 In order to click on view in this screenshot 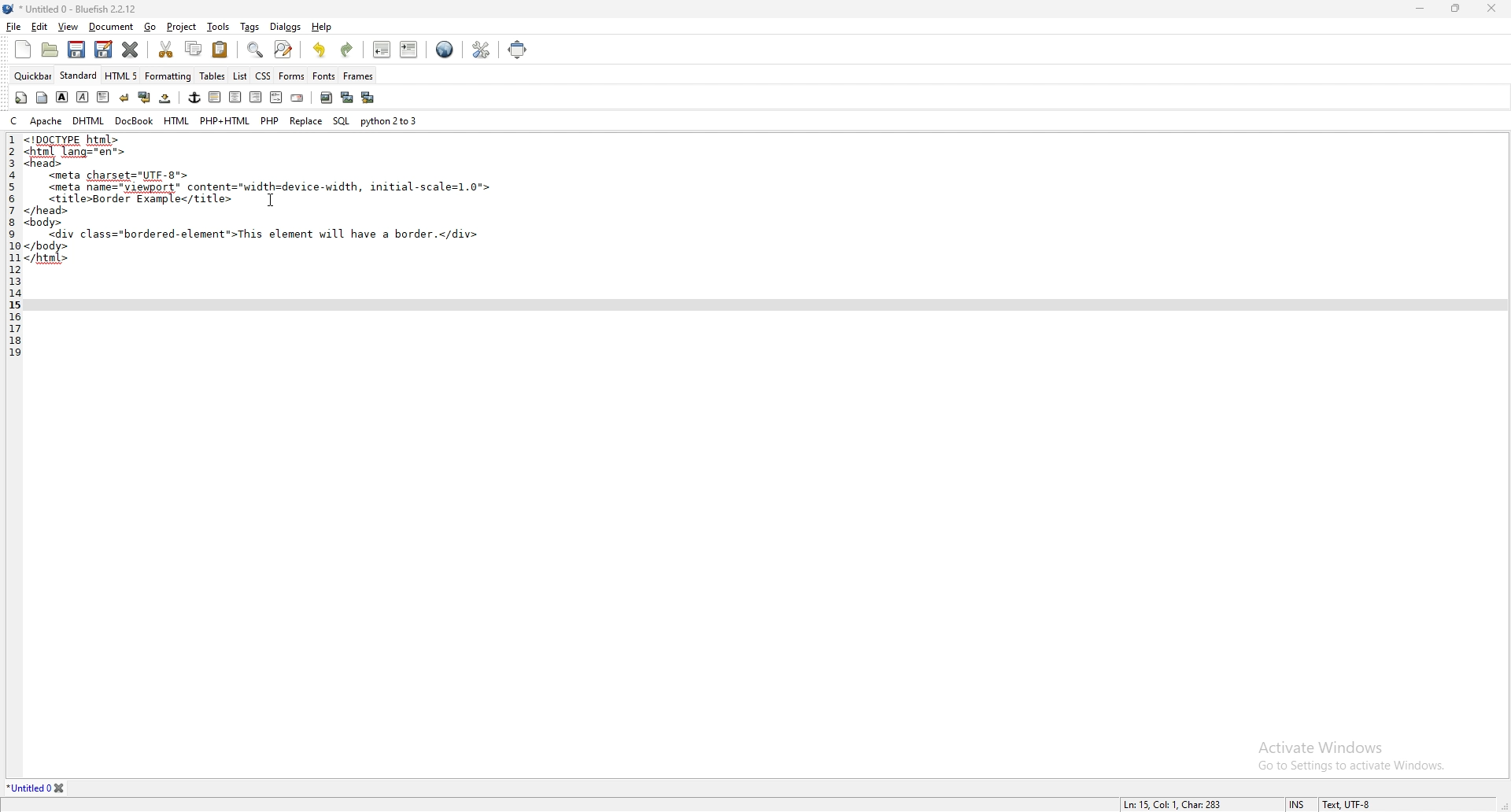, I will do `click(68, 27)`.